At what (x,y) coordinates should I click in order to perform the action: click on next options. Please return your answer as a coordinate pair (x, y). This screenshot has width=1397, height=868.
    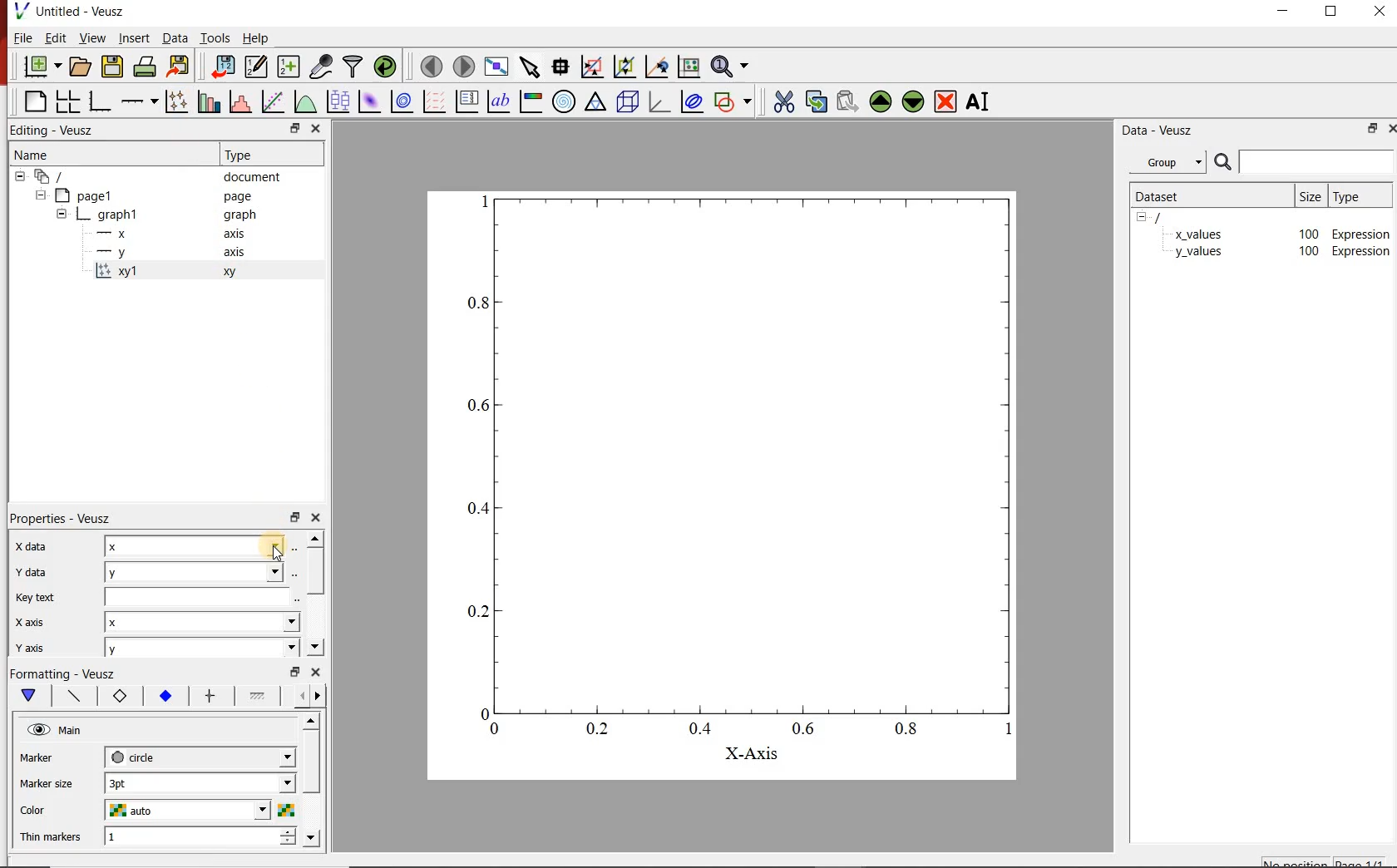
    Looking at the image, I should click on (321, 697).